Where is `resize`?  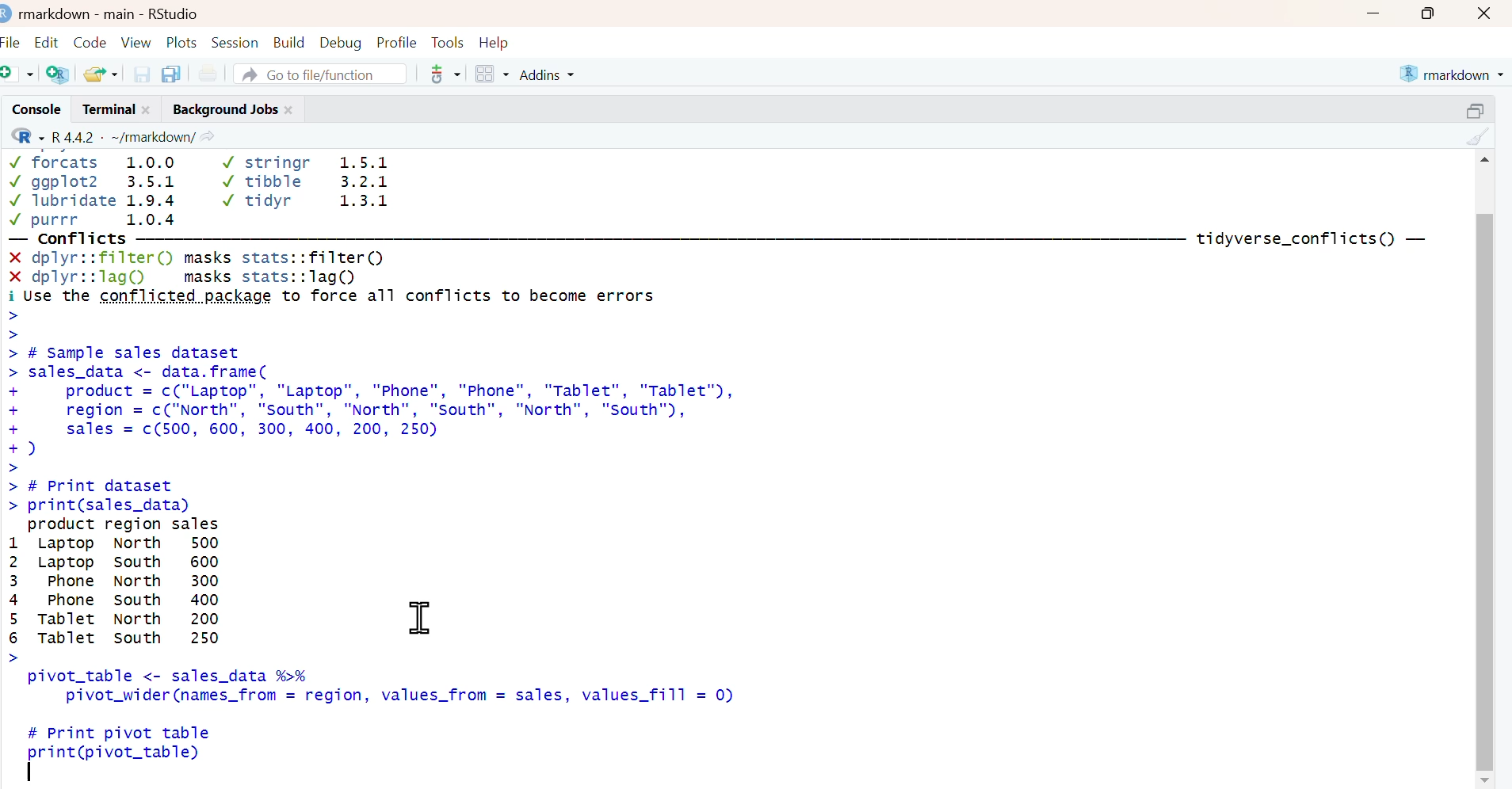
resize is located at coordinates (1480, 108).